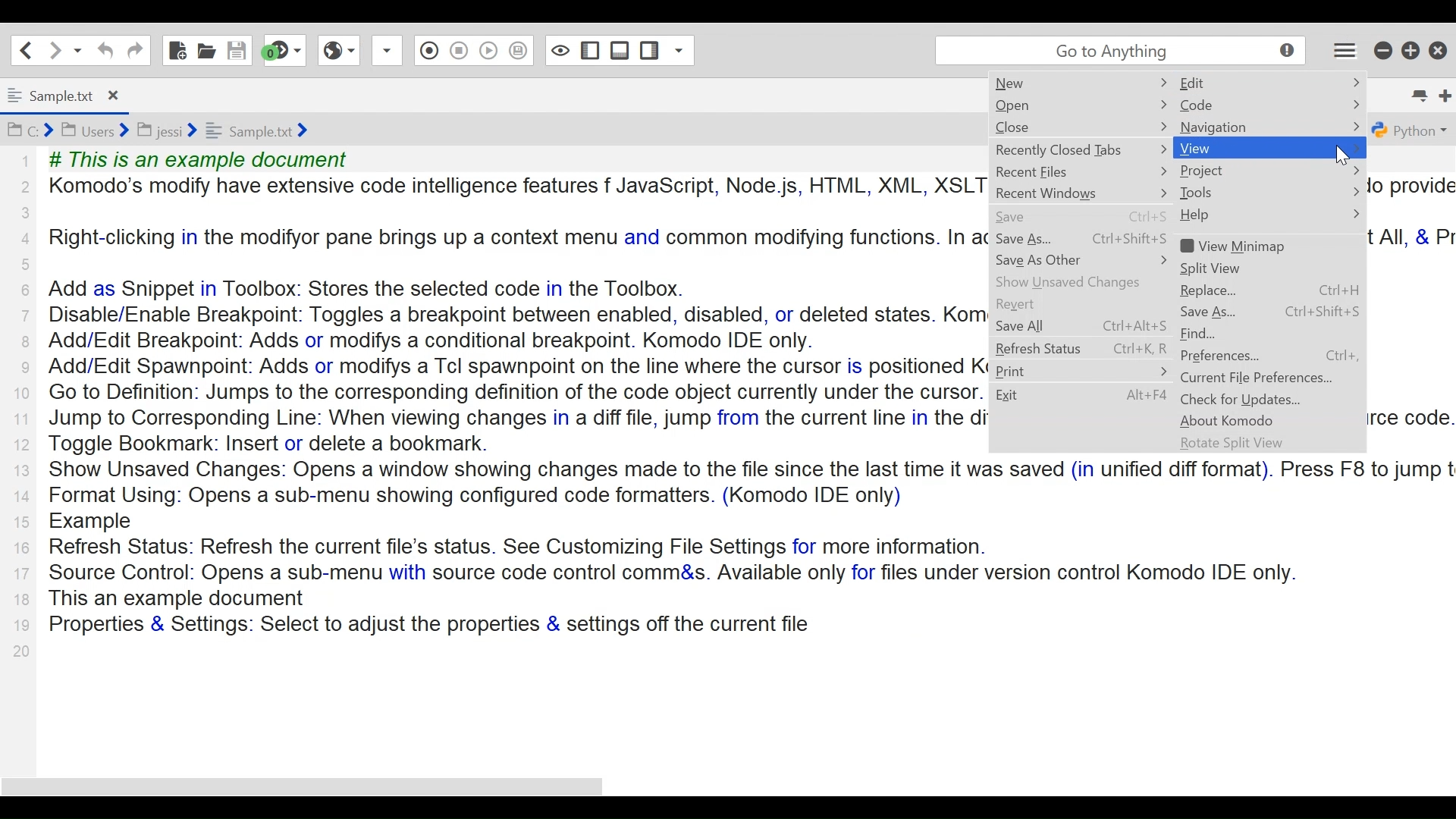 The image size is (1456, 819). What do you see at coordinates (1410, 131) in the screenshot?
I see `python` at bounding box center [1410, 131].